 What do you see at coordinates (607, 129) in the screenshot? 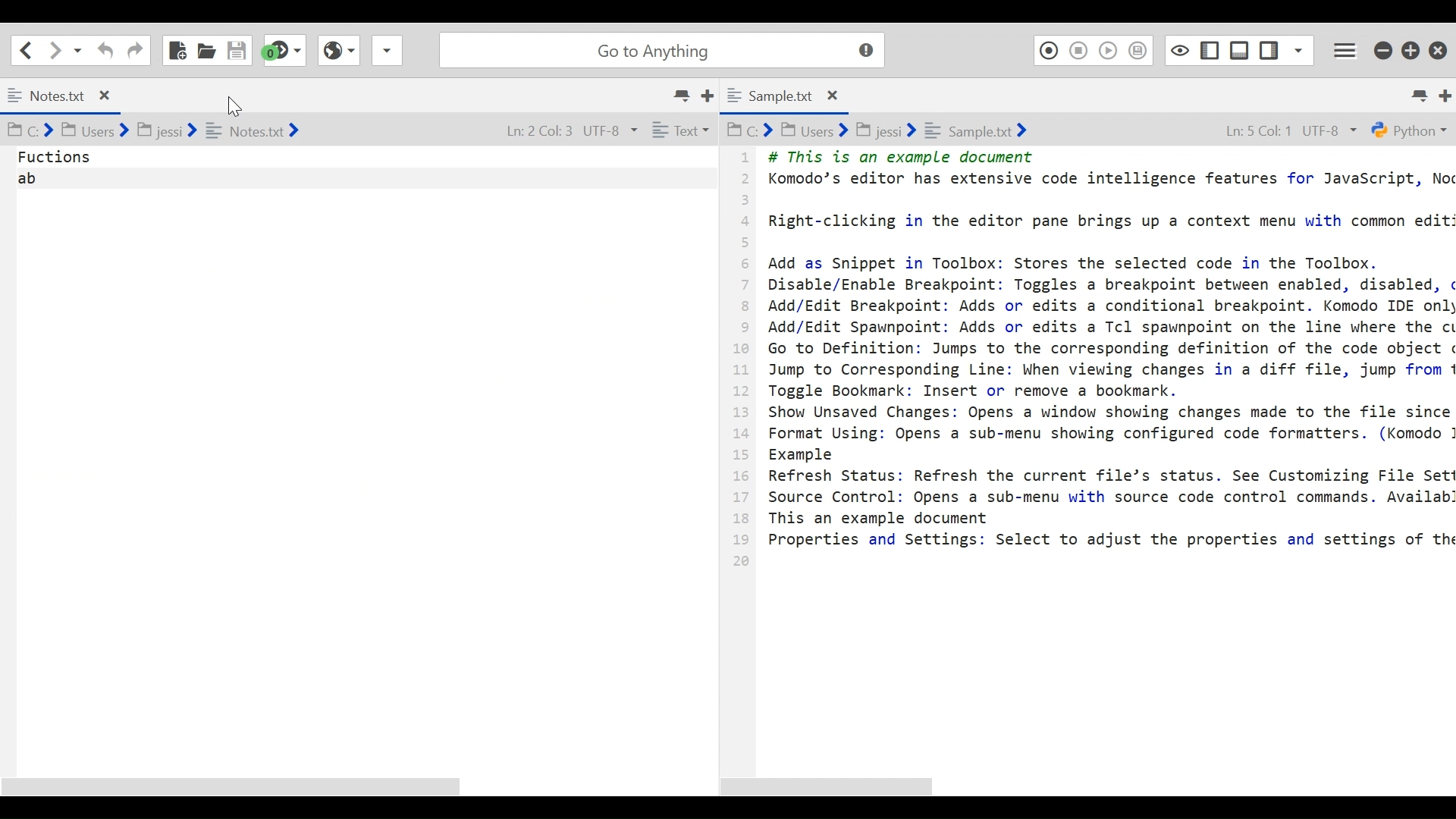
I see `UTF-8` at bounding box center [607, 129].